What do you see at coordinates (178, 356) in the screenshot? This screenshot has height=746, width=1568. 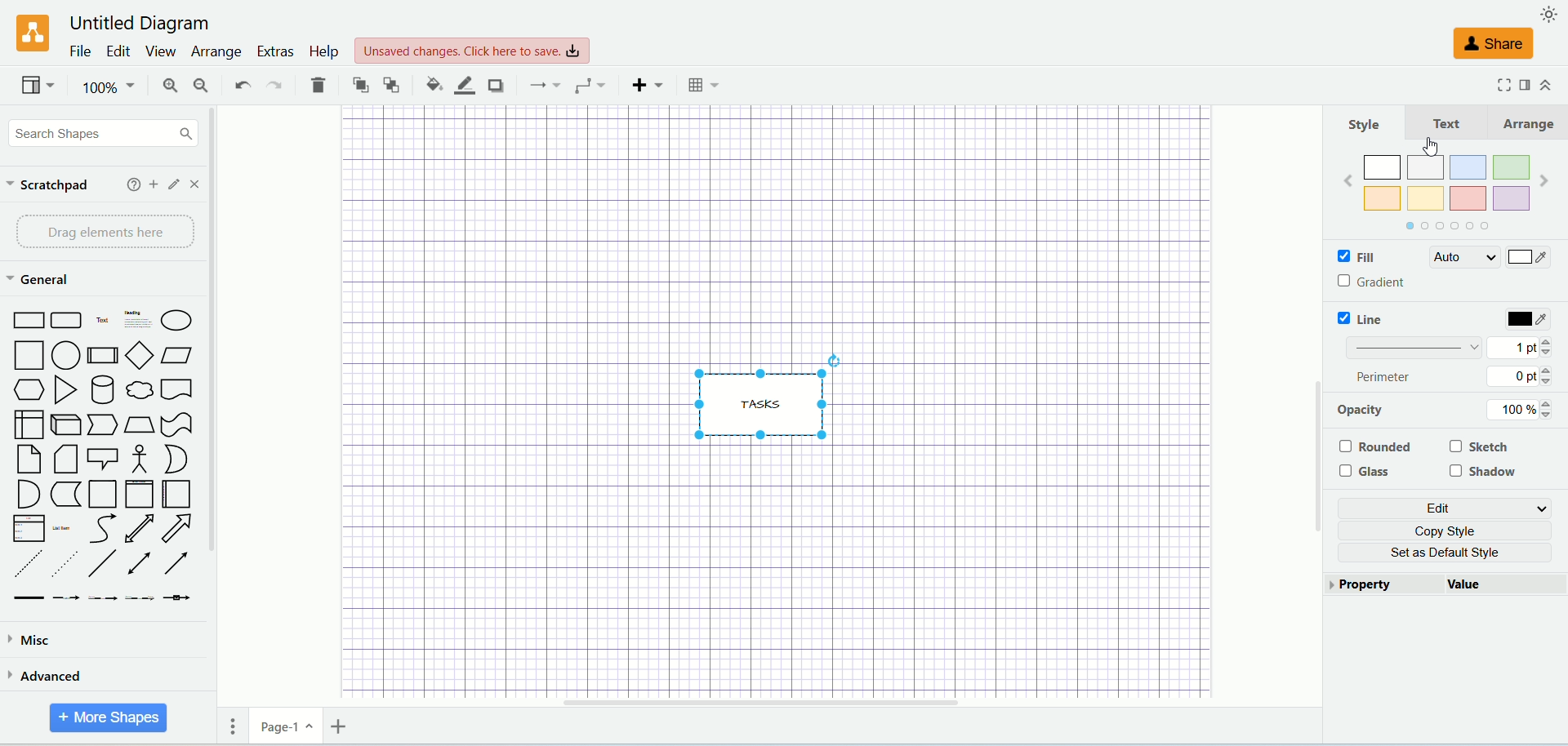 I see `Parallelogram` at bounding box center [178, 356].